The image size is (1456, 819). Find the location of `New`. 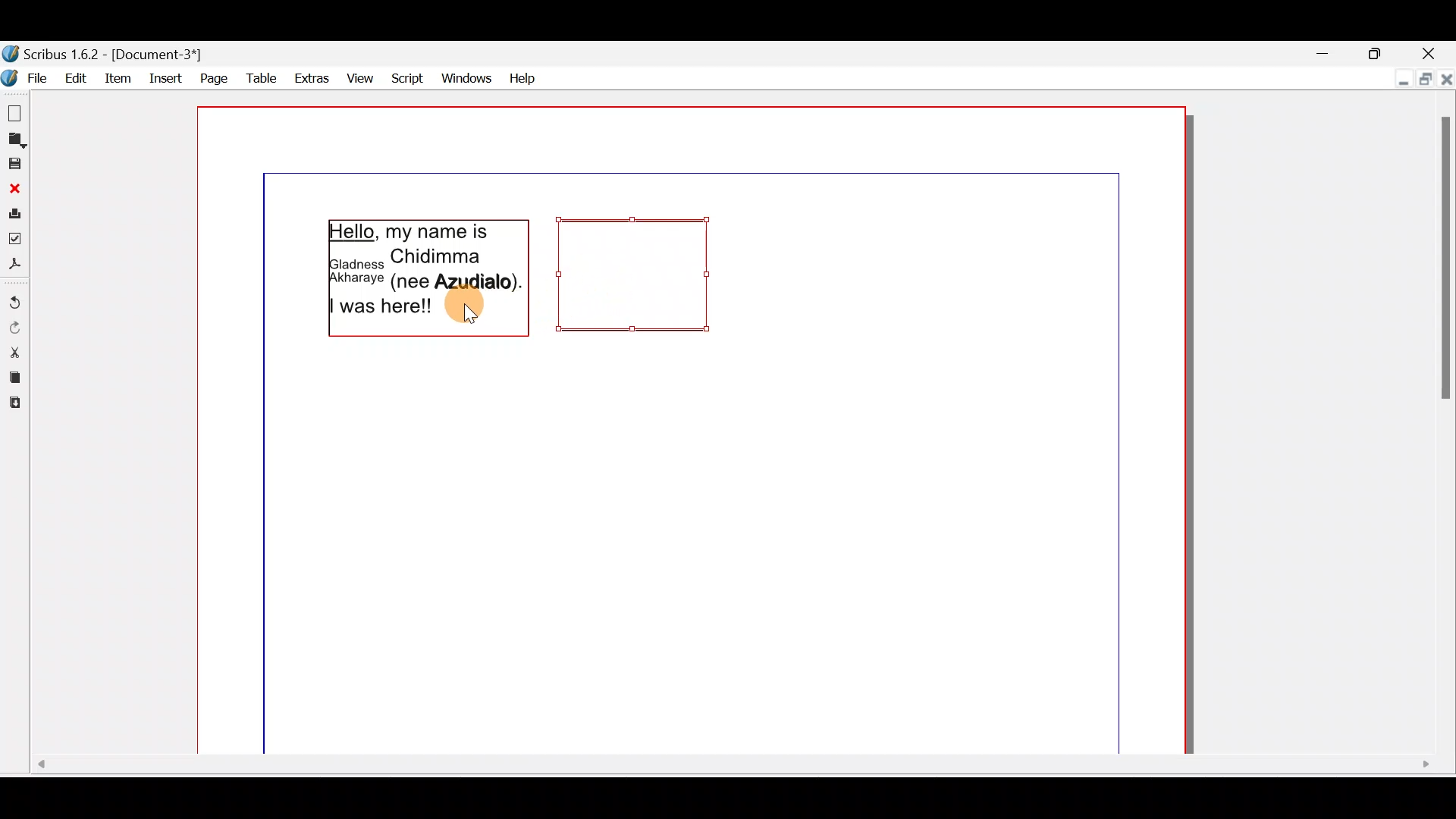

New is located at coordinates (17, 112).